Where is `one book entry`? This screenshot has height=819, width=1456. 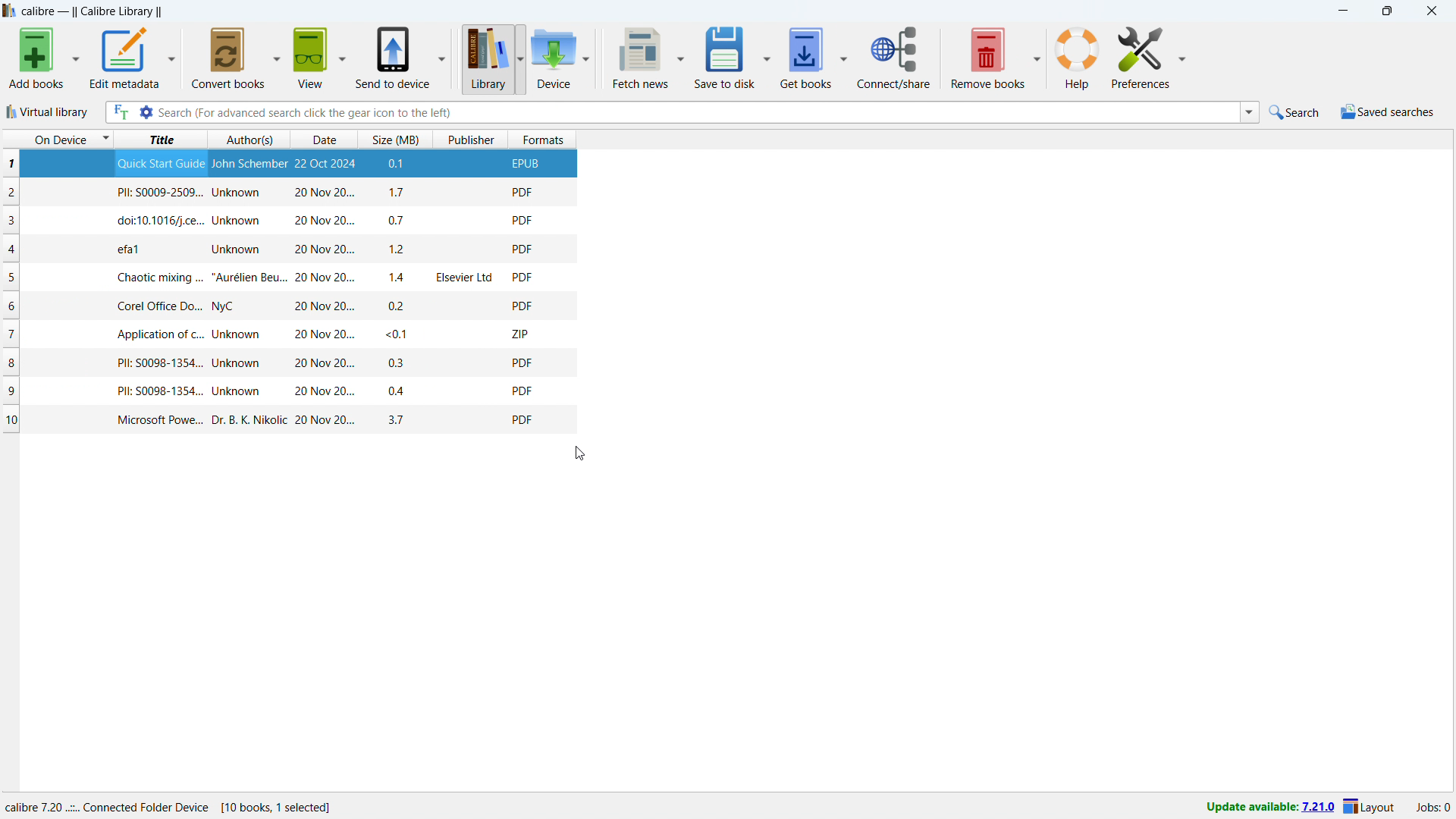
one book entry is located at coordinates (284, 365).